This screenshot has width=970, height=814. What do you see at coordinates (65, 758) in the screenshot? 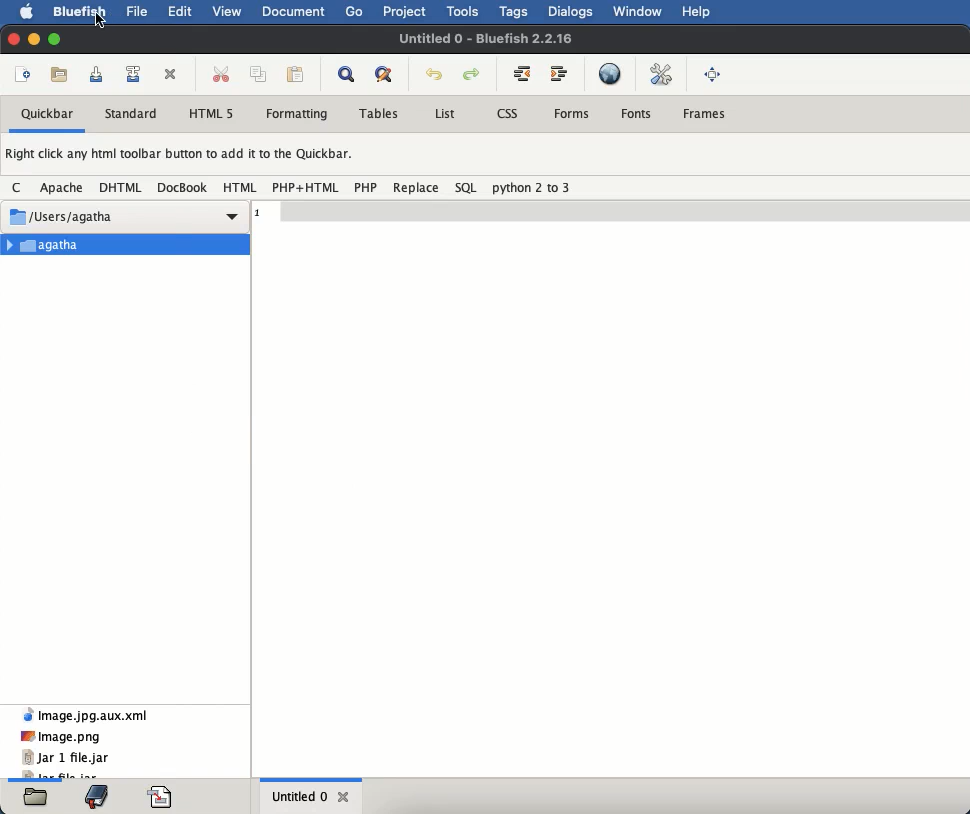
I see `jar 1 file` at bounding box center [65, 758].